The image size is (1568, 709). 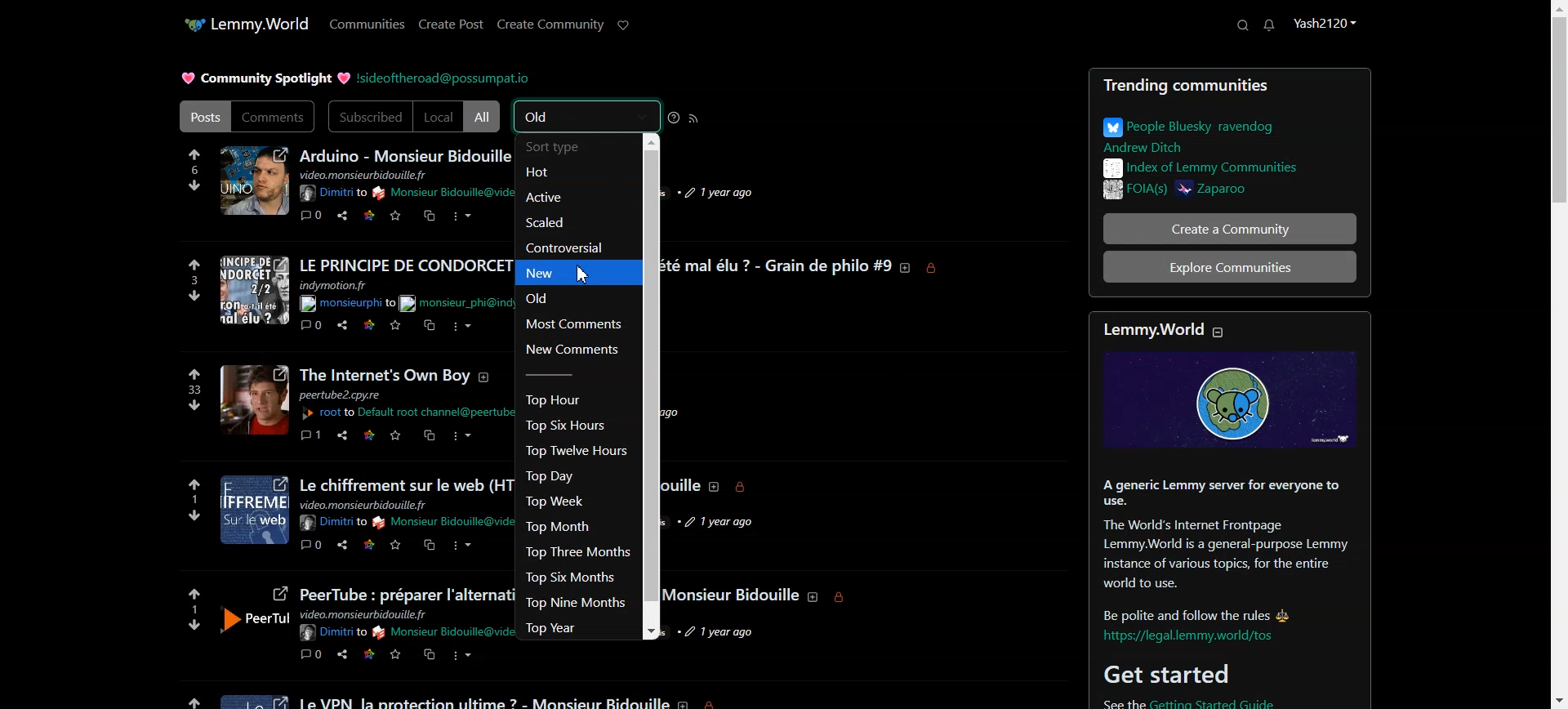 What do you see at coordinates (408, 412) in the screenshot?
I see `hyperlink` at bounding box center [408, 412].